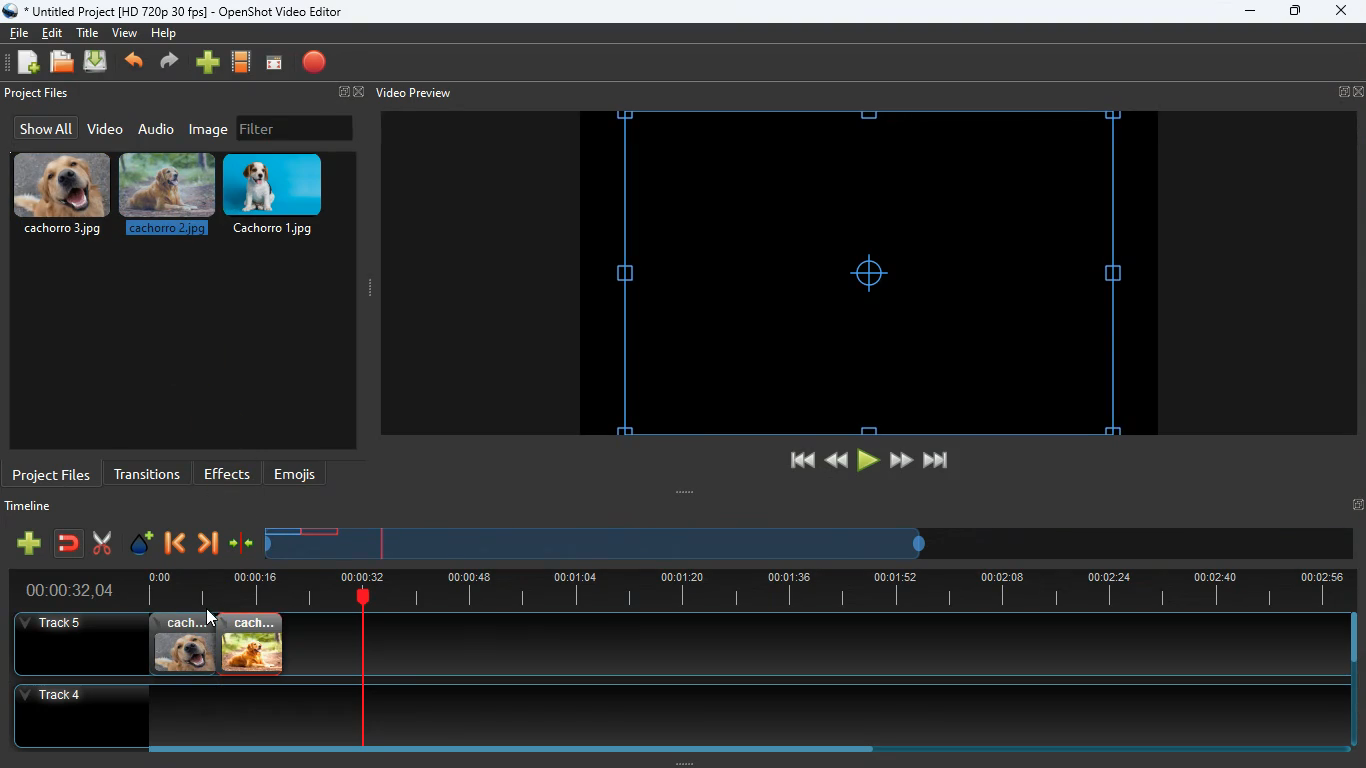 The image size is (1366, 768). What do you see at coordinates (252, 644) in the screenshot?
I see `cachorro.2.jpg` at bounding box center [252, 644].